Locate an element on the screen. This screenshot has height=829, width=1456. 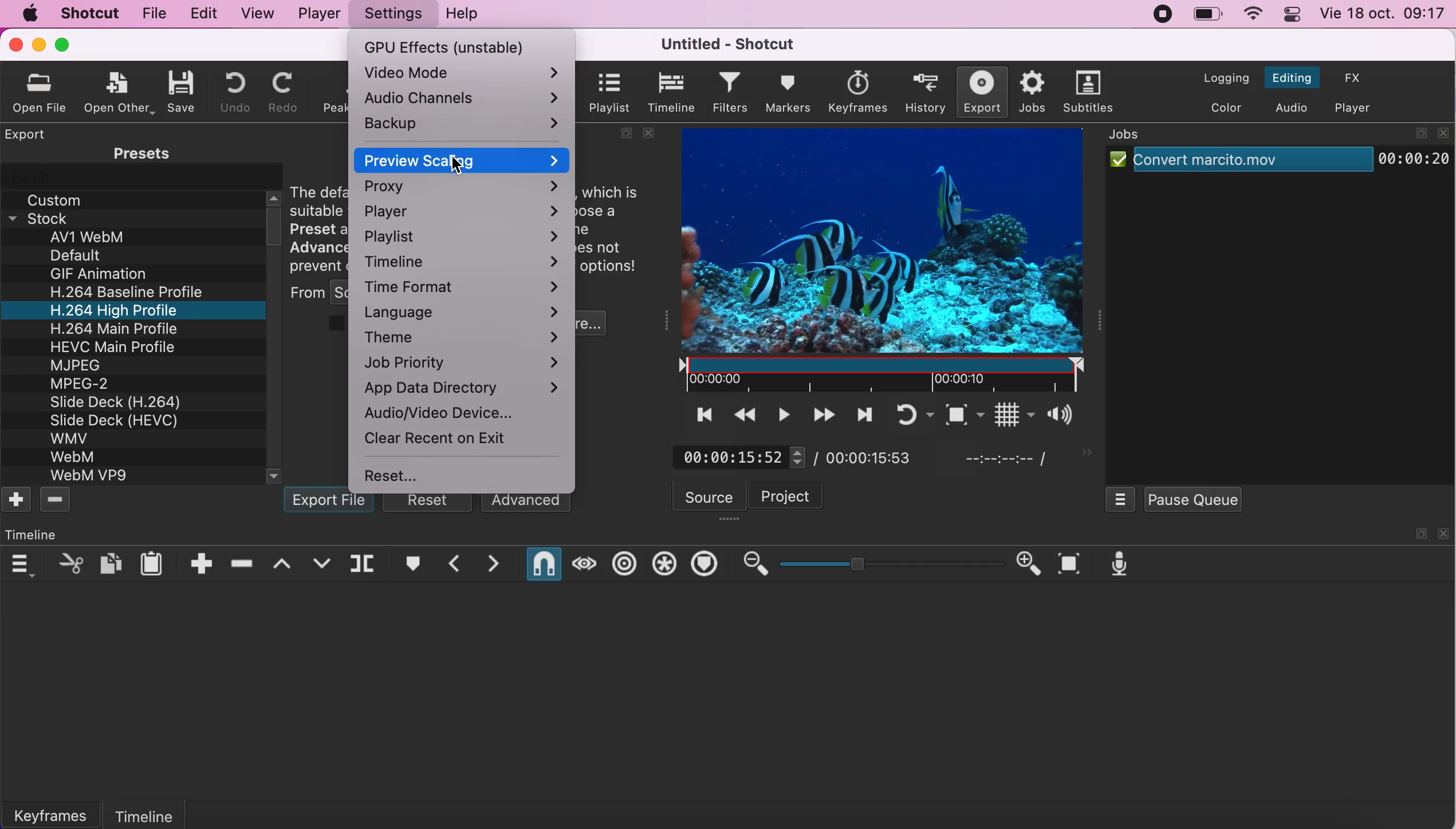
scrub while dragging is located at coordinates (581, 563).